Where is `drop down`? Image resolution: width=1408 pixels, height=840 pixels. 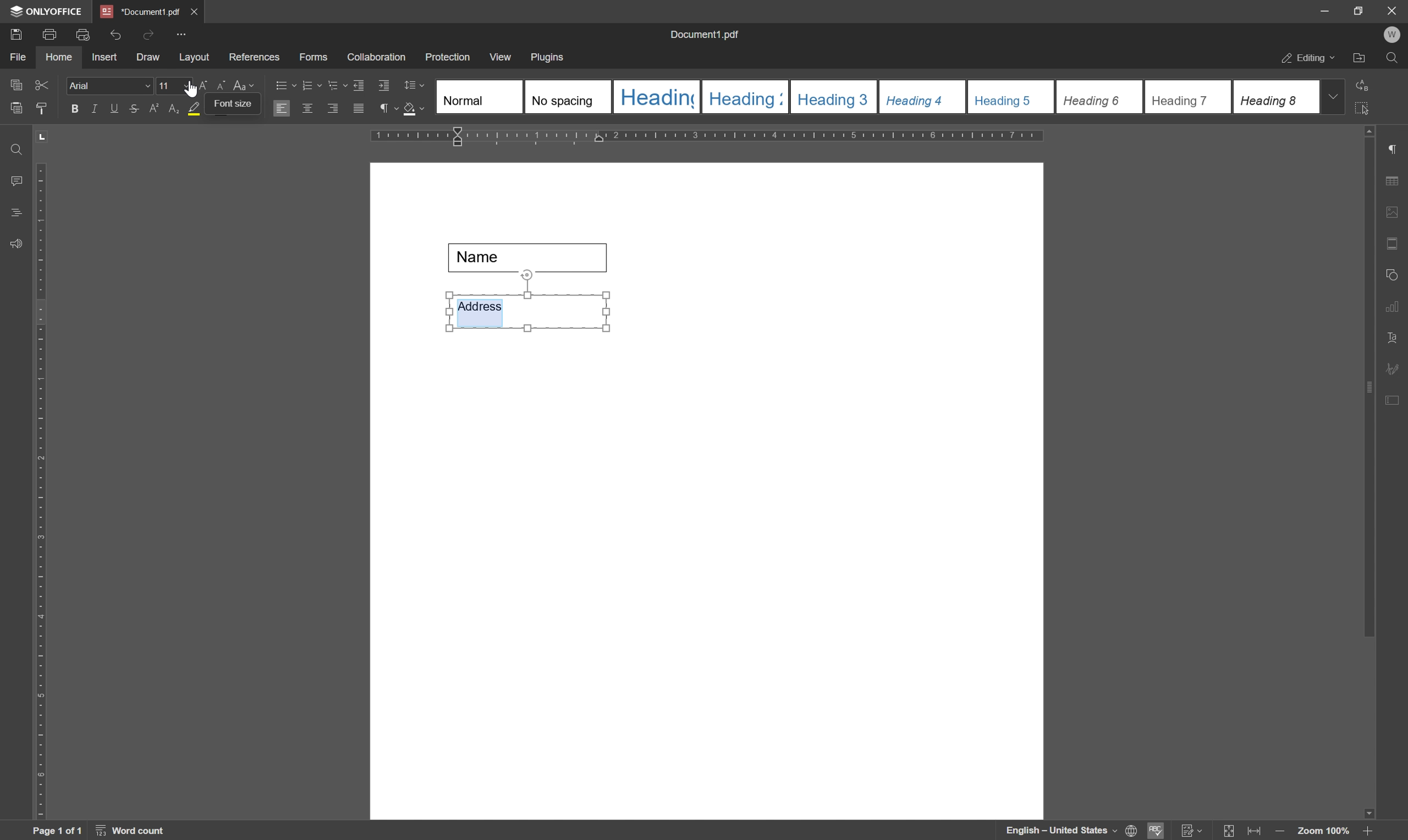
drop down is located at coordinates (1334, 96).